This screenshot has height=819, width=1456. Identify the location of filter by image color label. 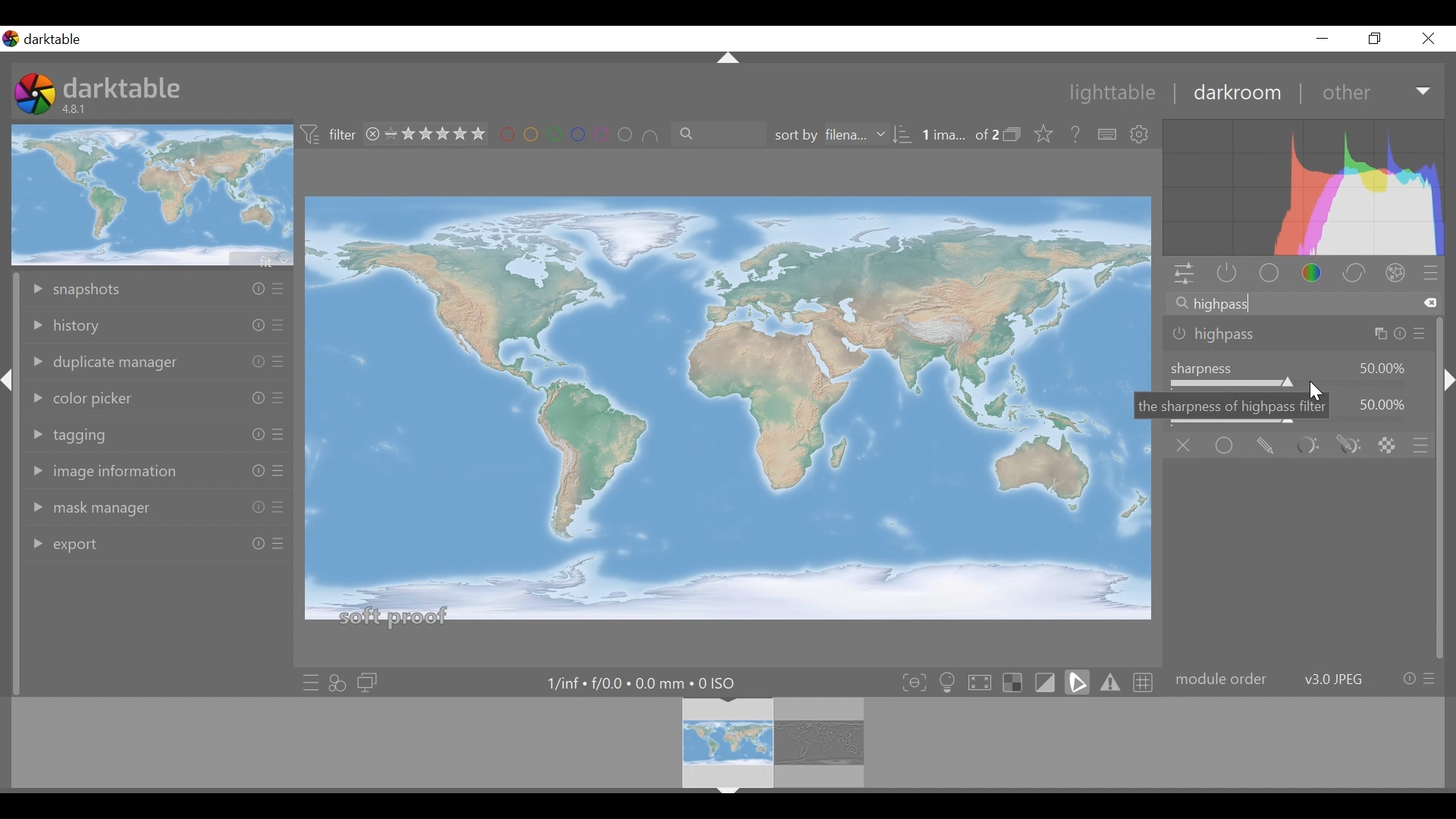
(579, 132).